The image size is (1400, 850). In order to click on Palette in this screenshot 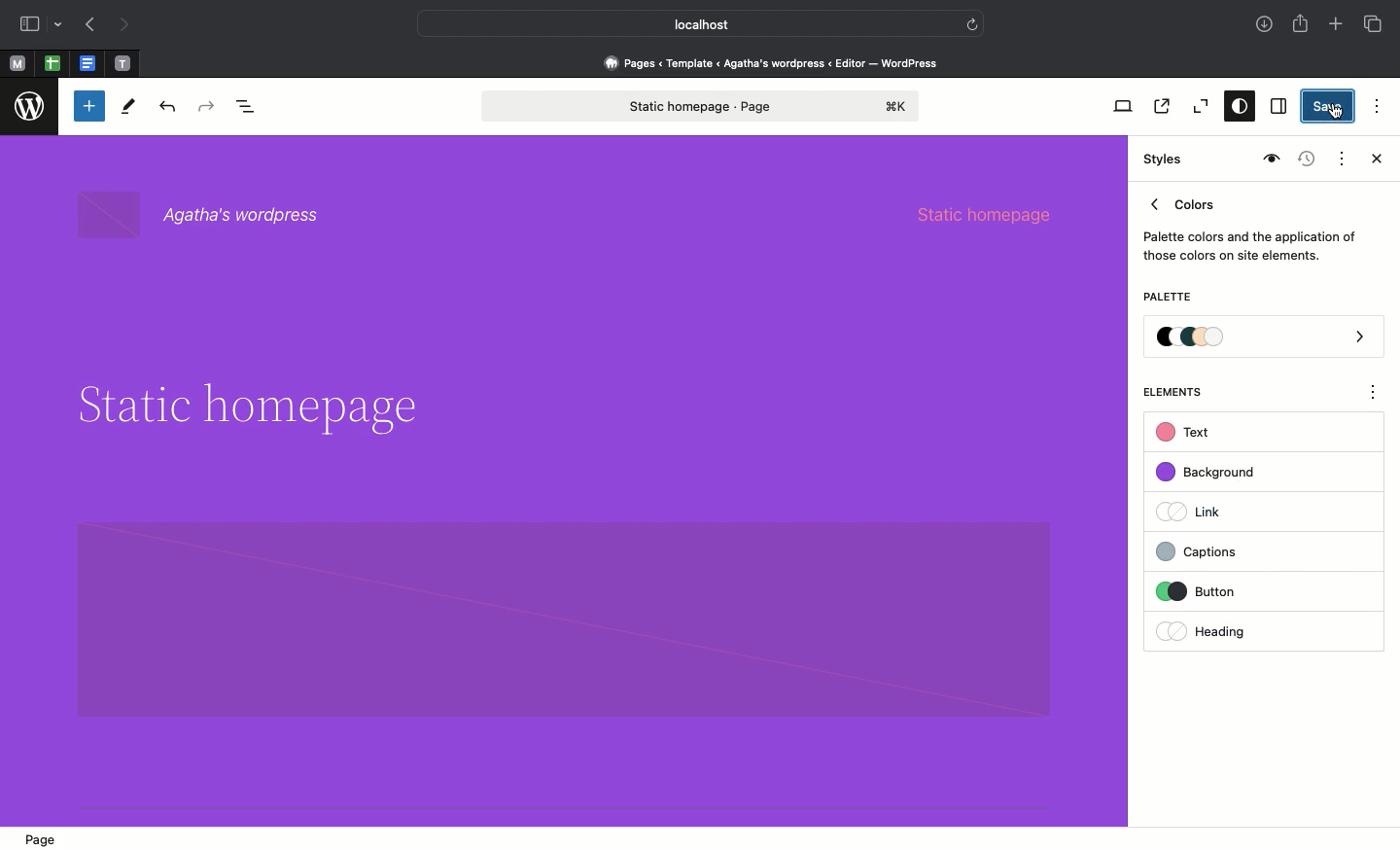, I will do `click(1167, 299)`.